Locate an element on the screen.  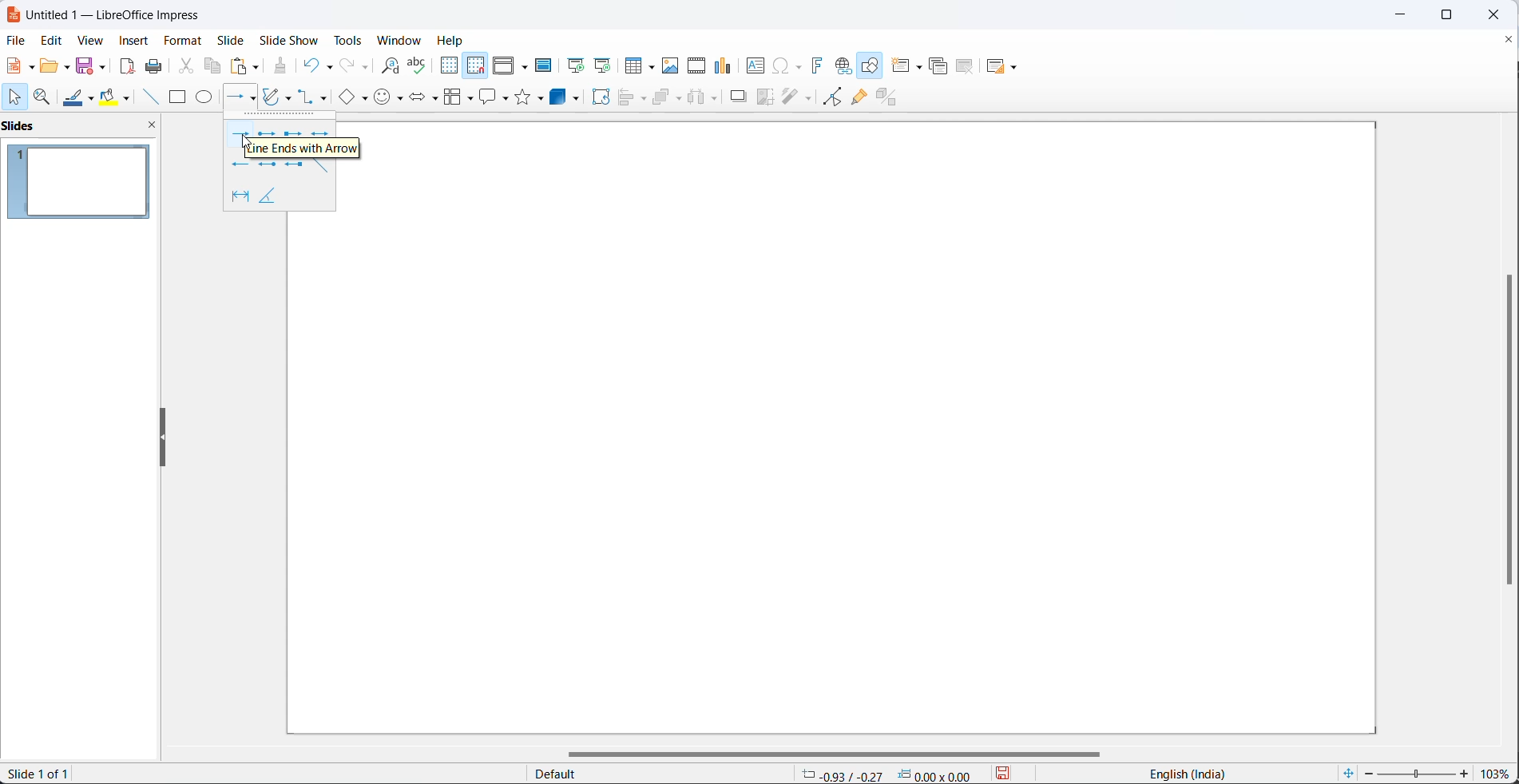
copy is located at coordinates (213, 65).